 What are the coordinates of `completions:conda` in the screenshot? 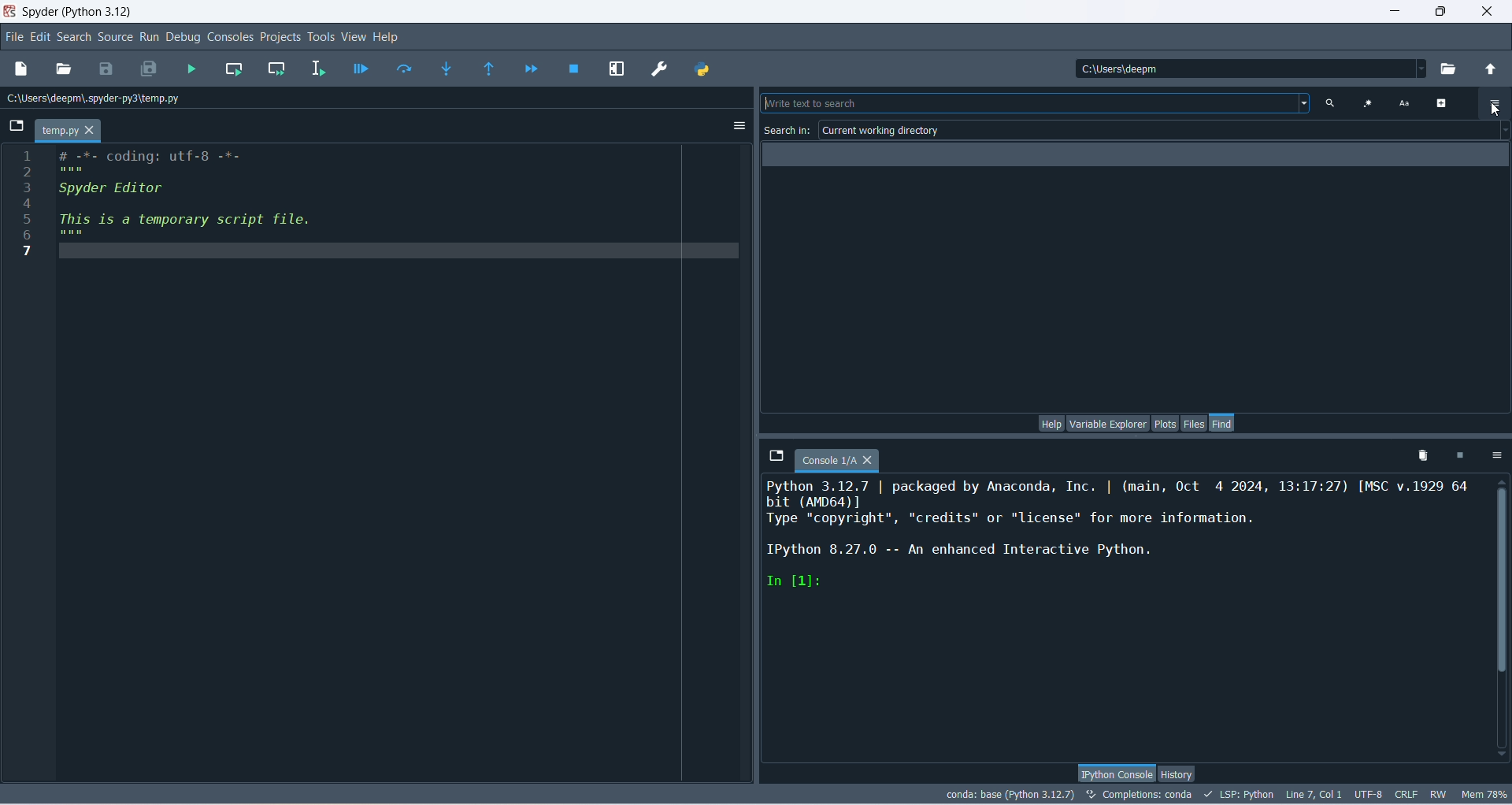 It's located at (1140, 794).